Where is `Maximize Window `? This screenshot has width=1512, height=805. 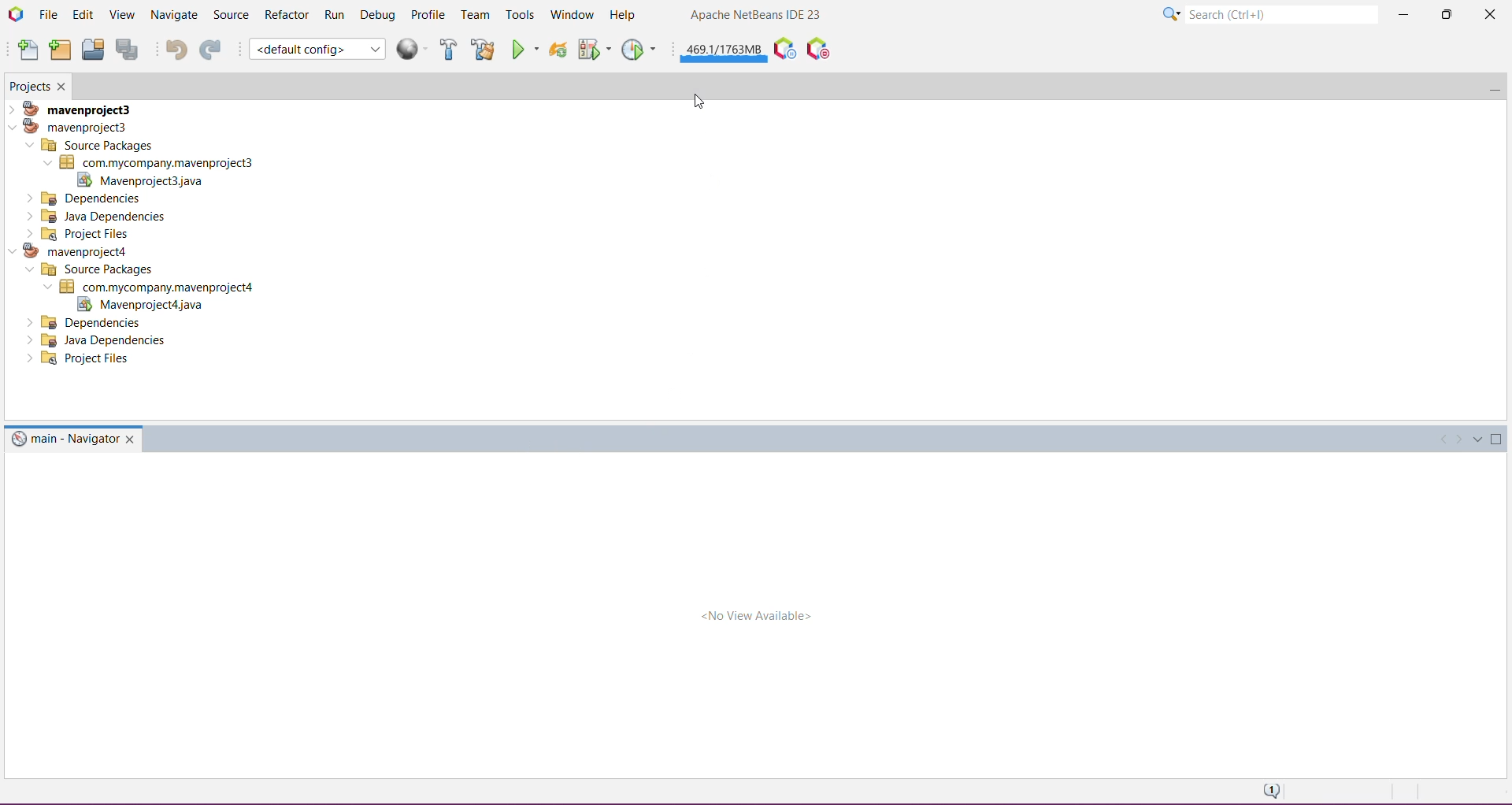
Maximize Window  is located at coordinates (1499, 440).